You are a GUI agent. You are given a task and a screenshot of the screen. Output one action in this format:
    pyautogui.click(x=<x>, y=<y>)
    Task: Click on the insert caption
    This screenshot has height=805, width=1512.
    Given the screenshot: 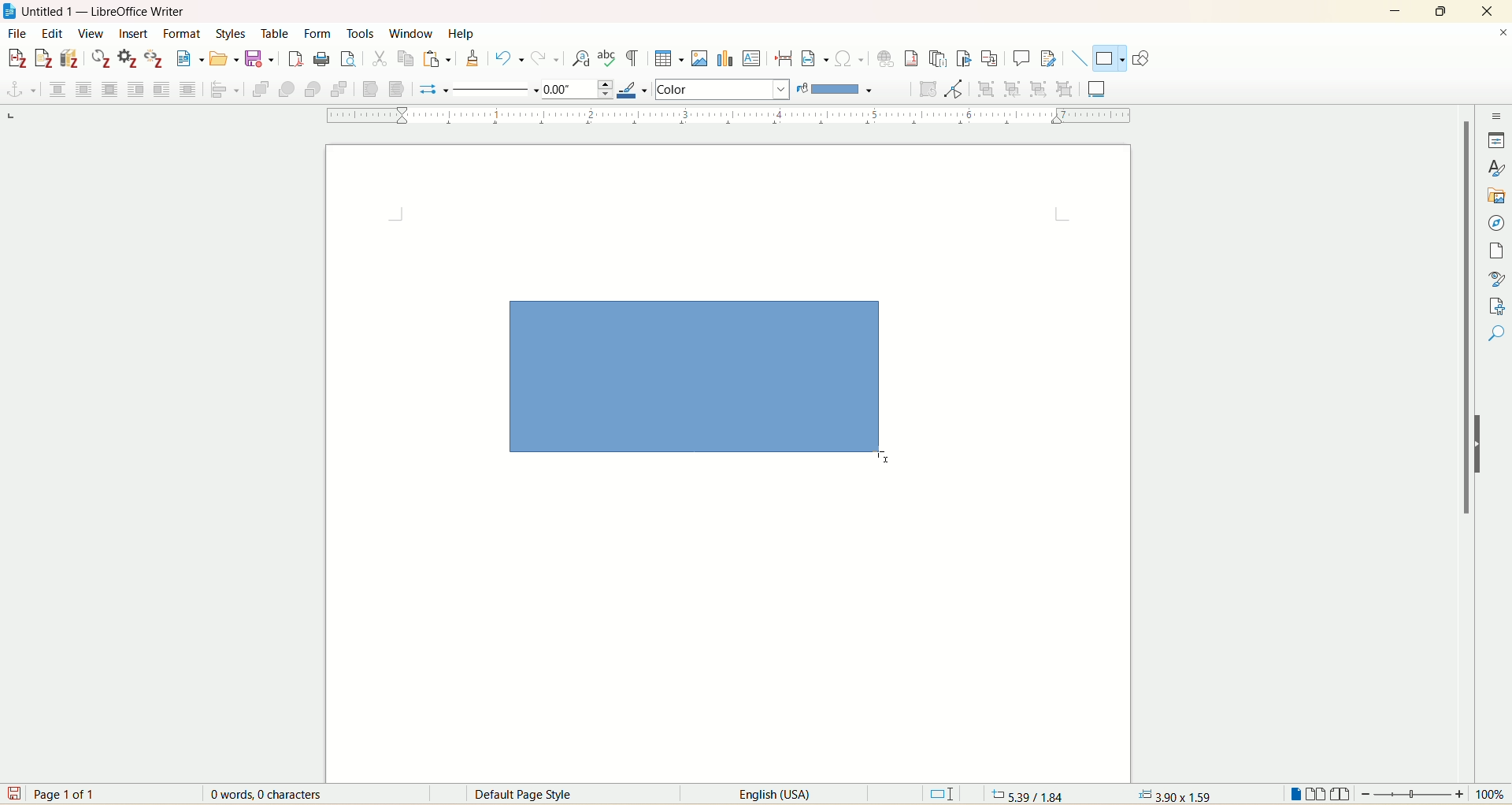 What is the action you would take?
    pyautogui.click(x=1097, y=87)
    